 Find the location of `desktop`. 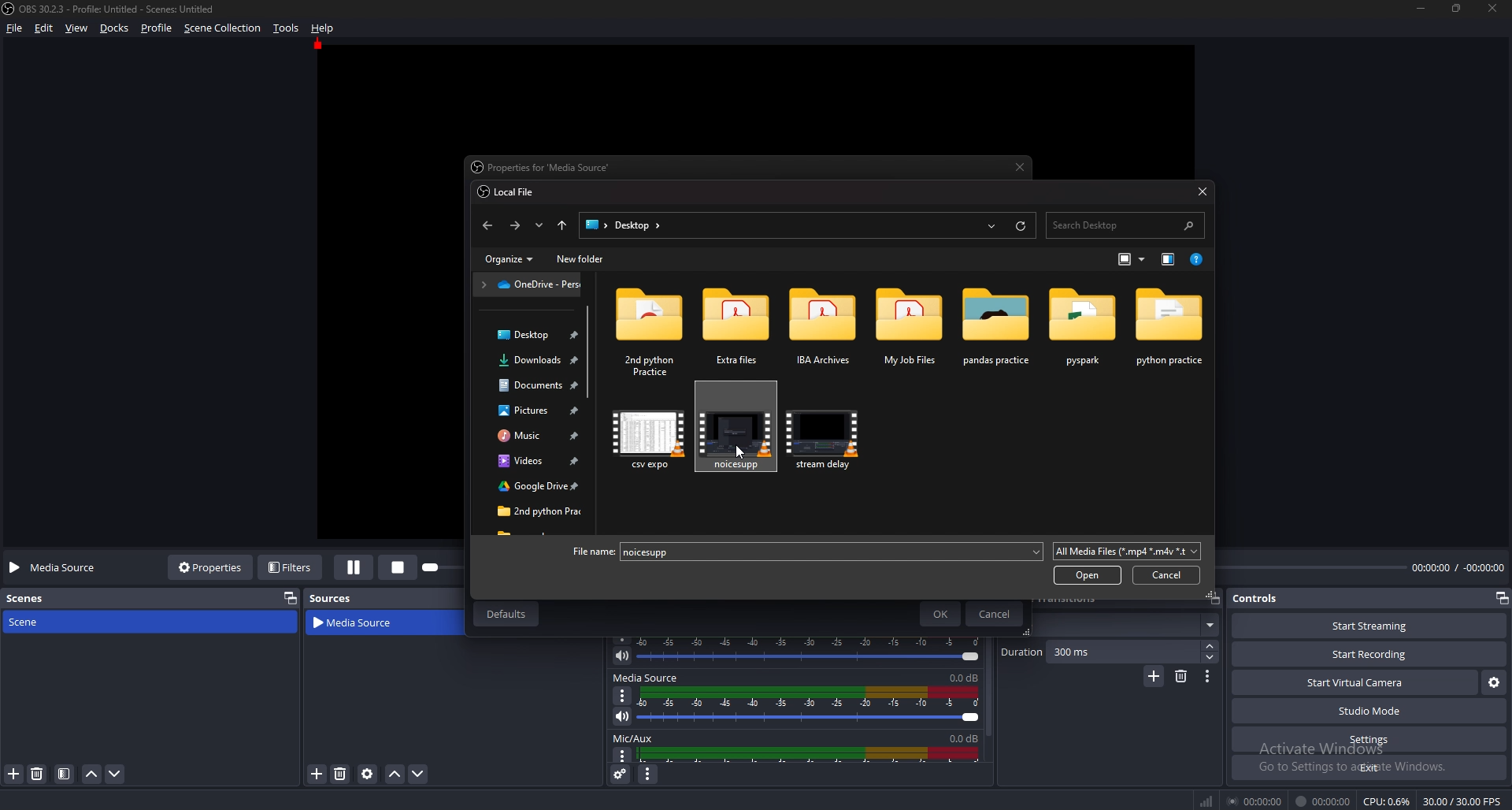

desktop is located at coordinates (626, 225).